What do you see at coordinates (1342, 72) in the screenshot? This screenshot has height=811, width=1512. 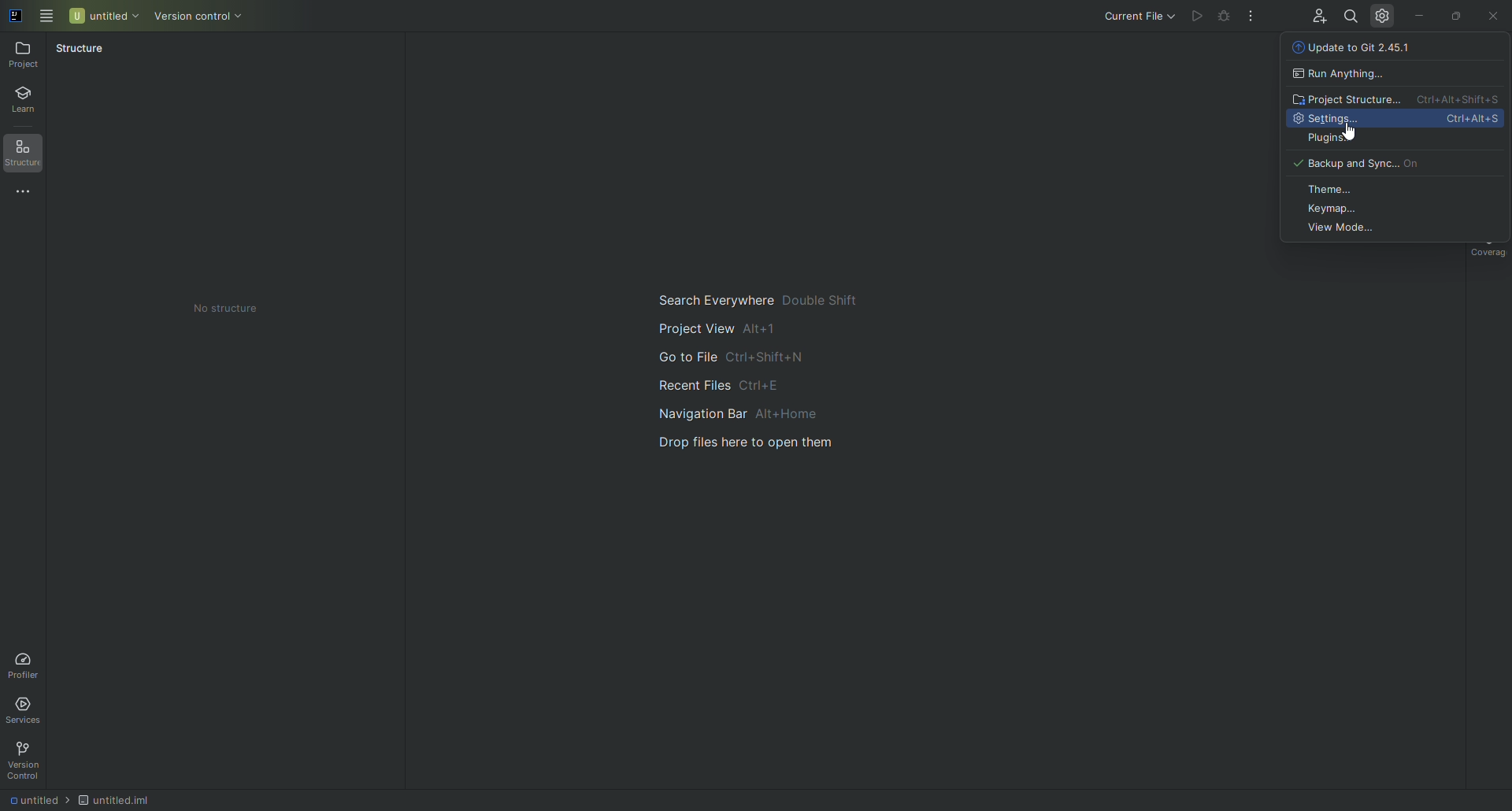 I see `Run anything` at bounding box center [1342, 72].